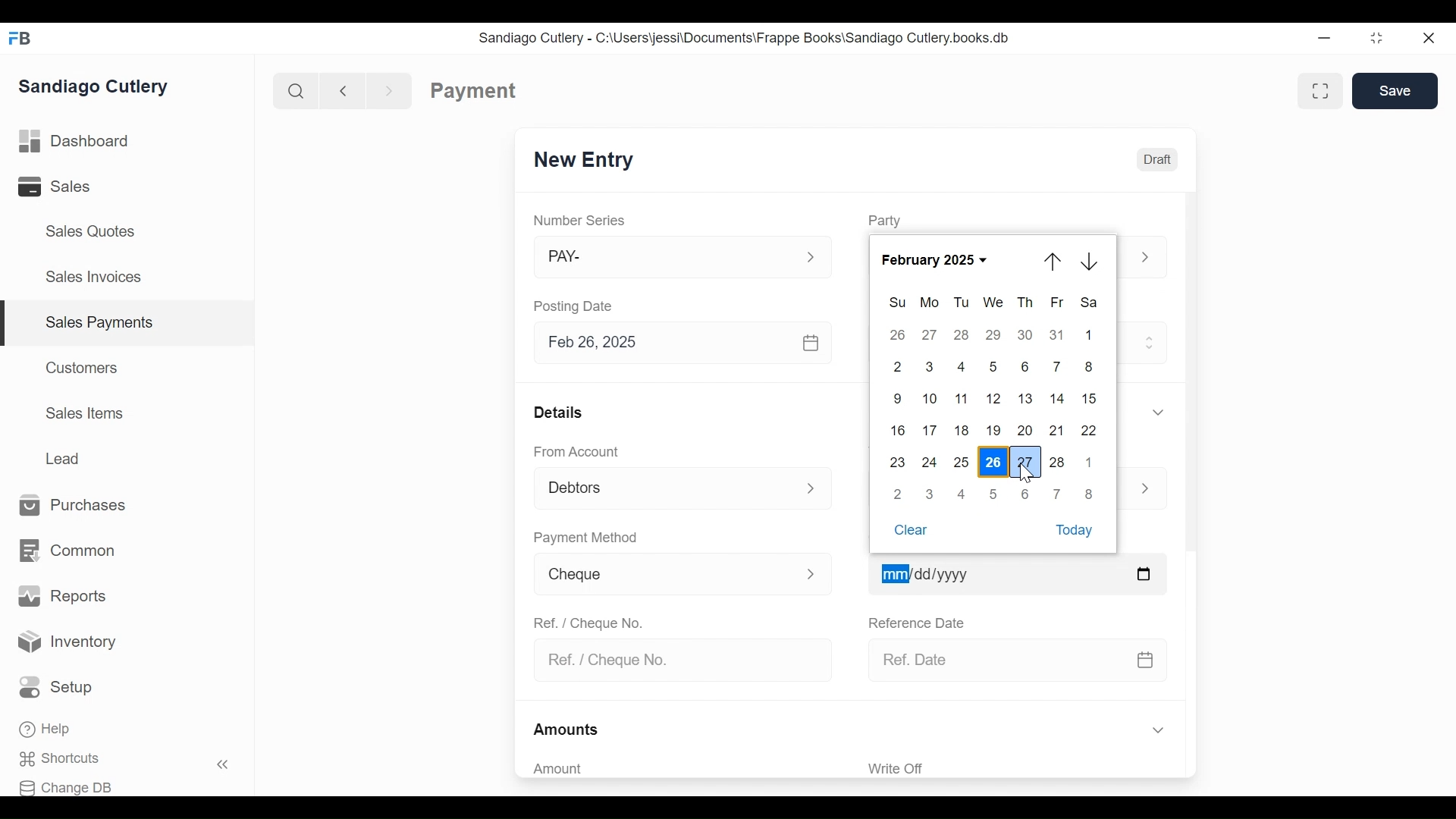 The width and height of the screenshot is (1456, 819). What do you see at coordinates (474, 91) in the screenshot?
I see `Payment` at bounding box center [474, 91].